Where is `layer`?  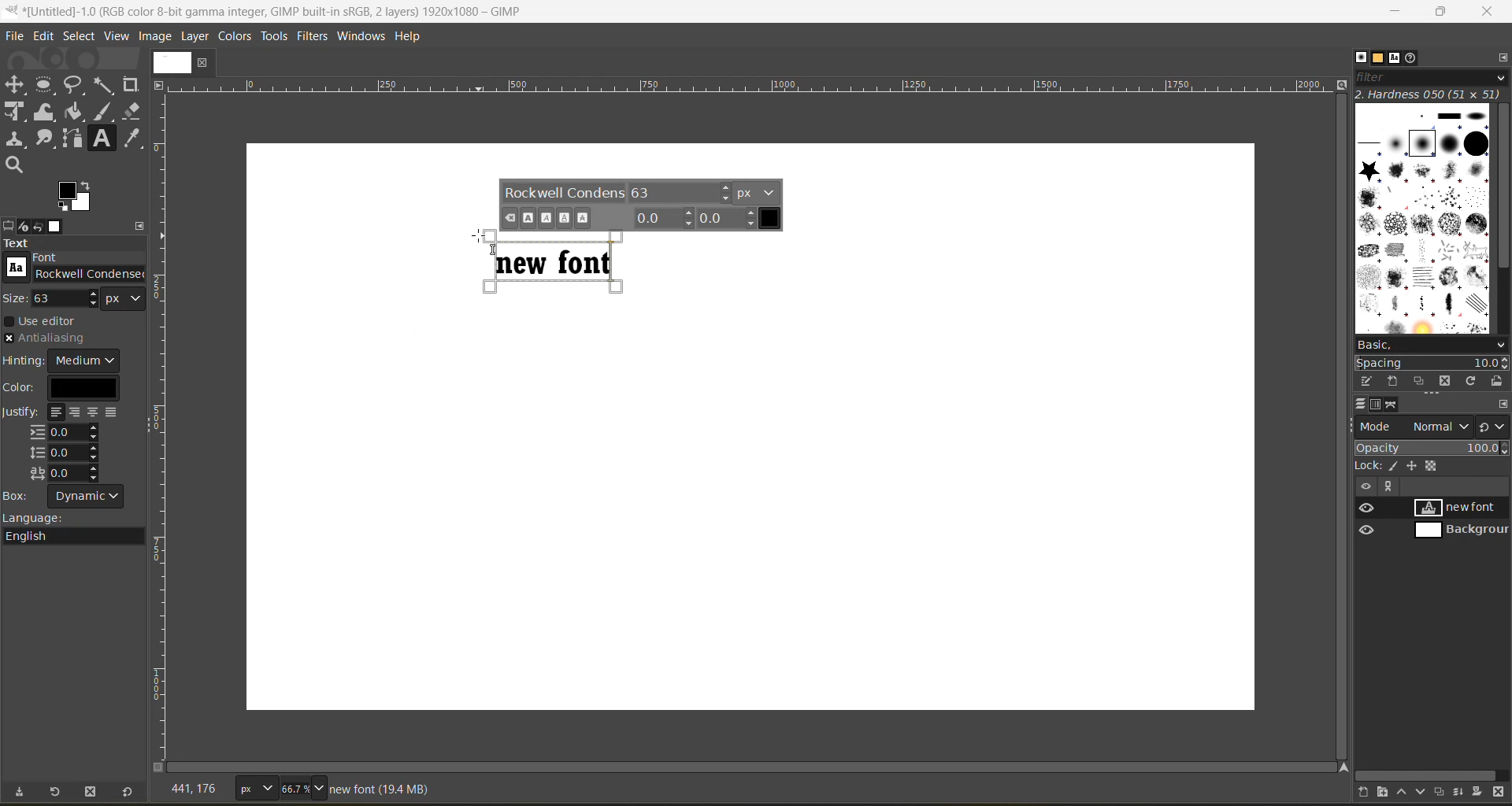
layer is located at coordinates (196, 36).